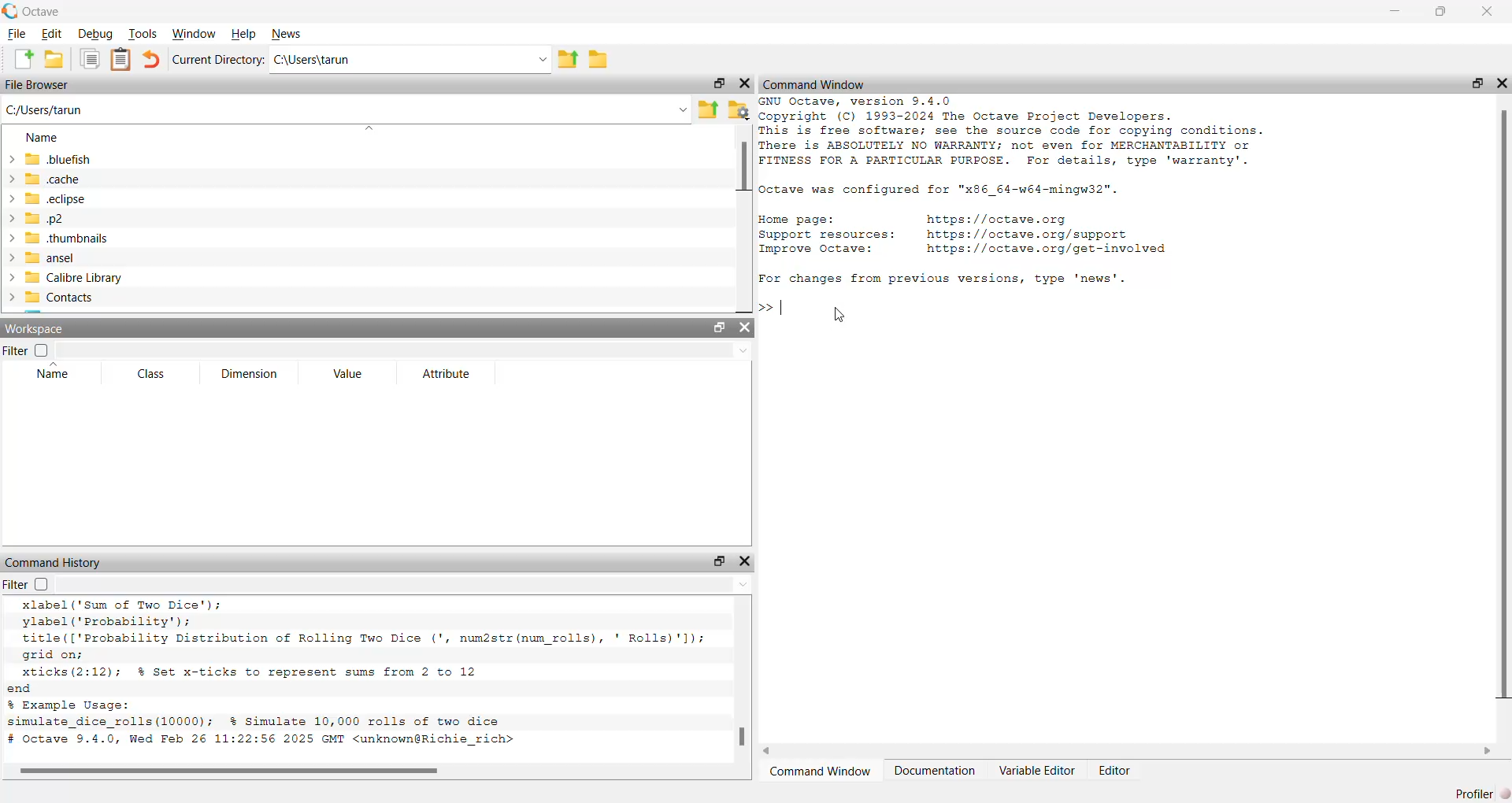 The width and height of the screenshot is (1512, 803). Describe the element at coordinates (1039, 211) in the screenshot. I see `GNU Octave, Version 9.4.0 § copyright (C) 1993-2024 The octave Project Developers.This is free software; see the source code for copying conditions.There is ABSOLUTELY NO WARRANTY; not even for MERCHANTABILITY orFITNESS FOR A PARTICULAR PURPOSE. For details, type 'warranty'.octave was configured for "x86_64-w64-mingw32".Home page: https://octave.orgSupport resources:  https://octave.org/supportImprove Octave: https://octave.org/get-involvedFor changes from previous versions, type 'news'.` at that location.